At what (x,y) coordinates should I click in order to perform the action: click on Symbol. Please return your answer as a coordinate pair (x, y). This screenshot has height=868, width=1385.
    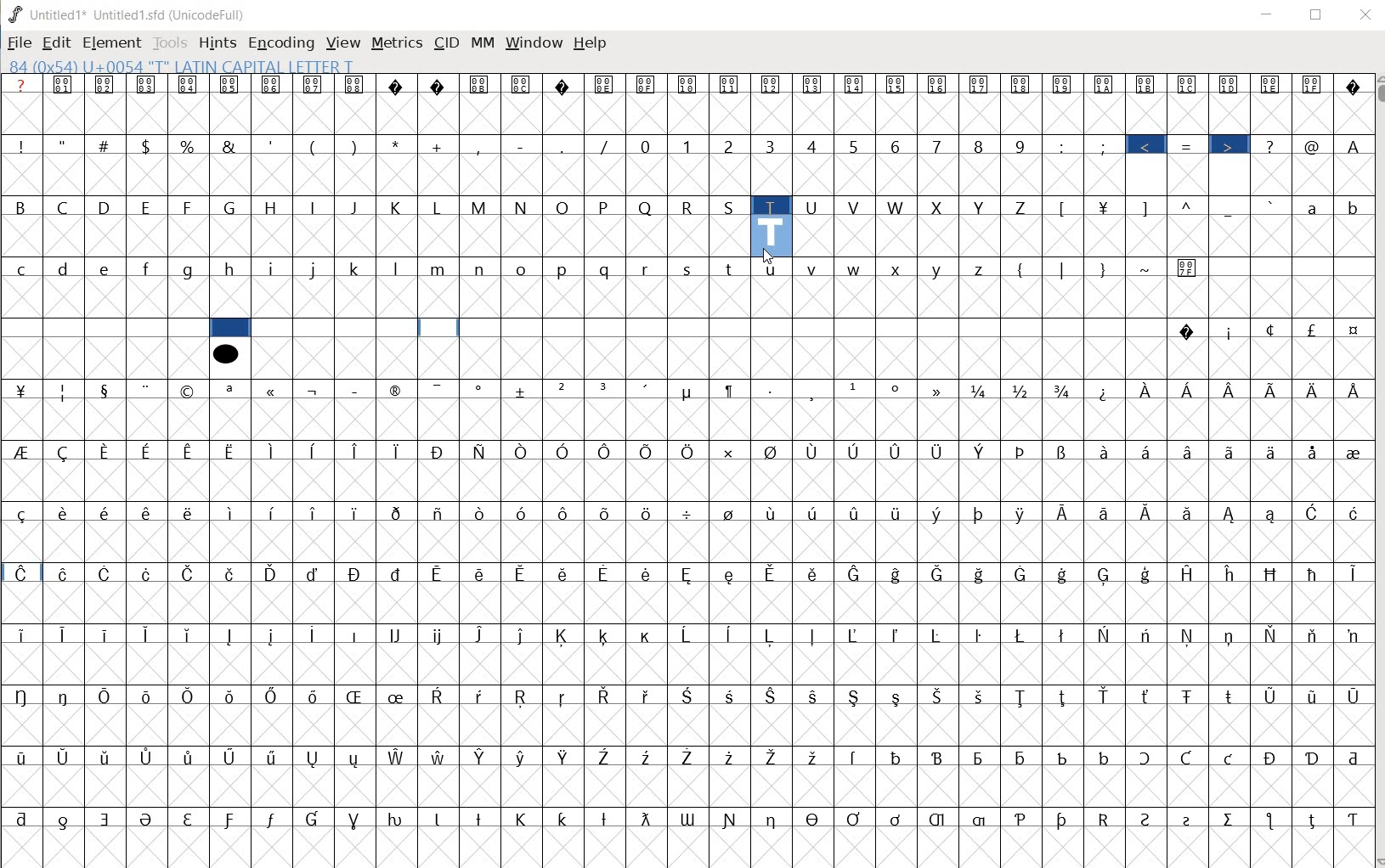
    Looking at the image, I should click on (148, 572).